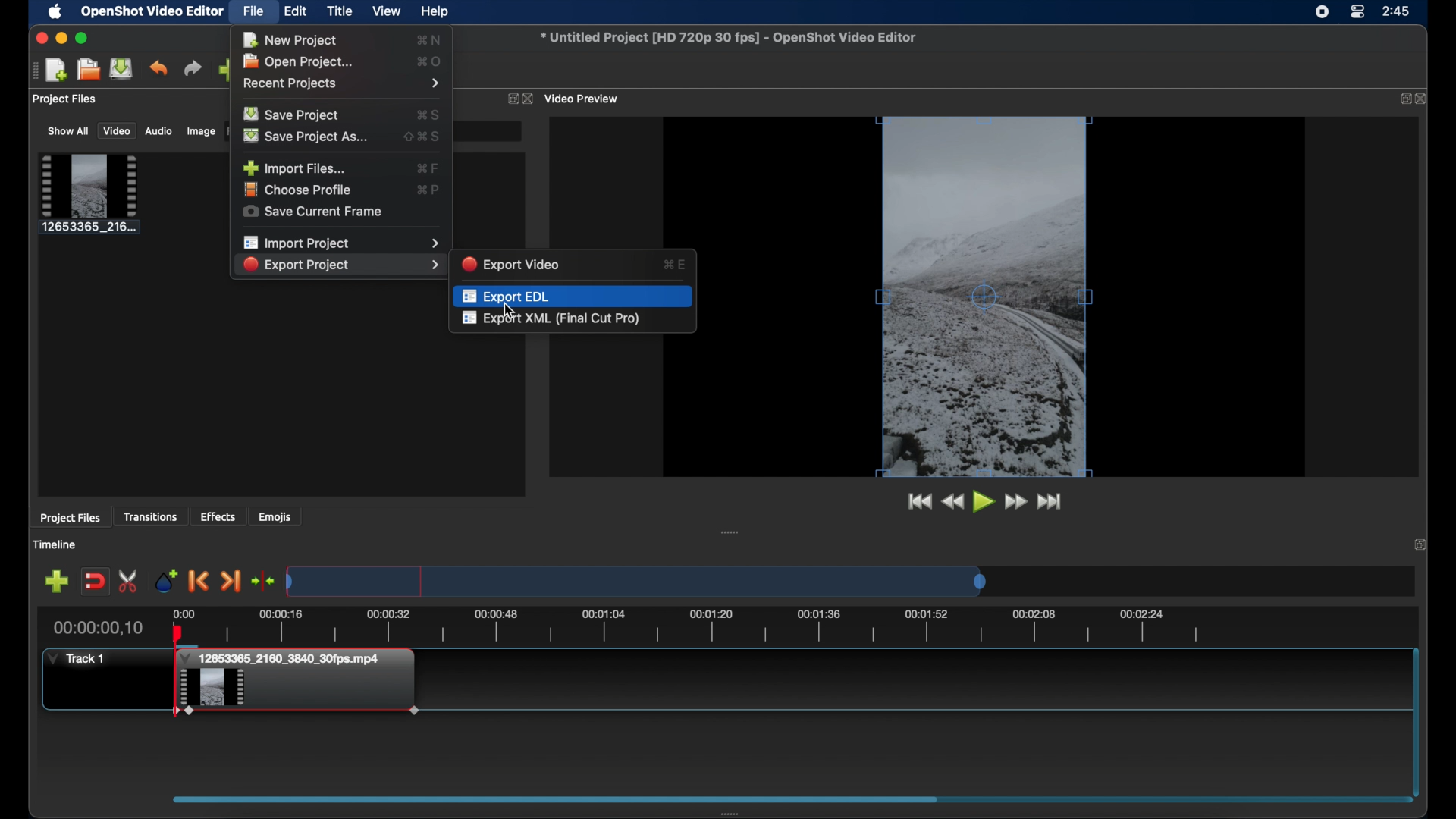  Describe the element at coordinates (83, 38) in the screenshot. I see `maximize` at that location.